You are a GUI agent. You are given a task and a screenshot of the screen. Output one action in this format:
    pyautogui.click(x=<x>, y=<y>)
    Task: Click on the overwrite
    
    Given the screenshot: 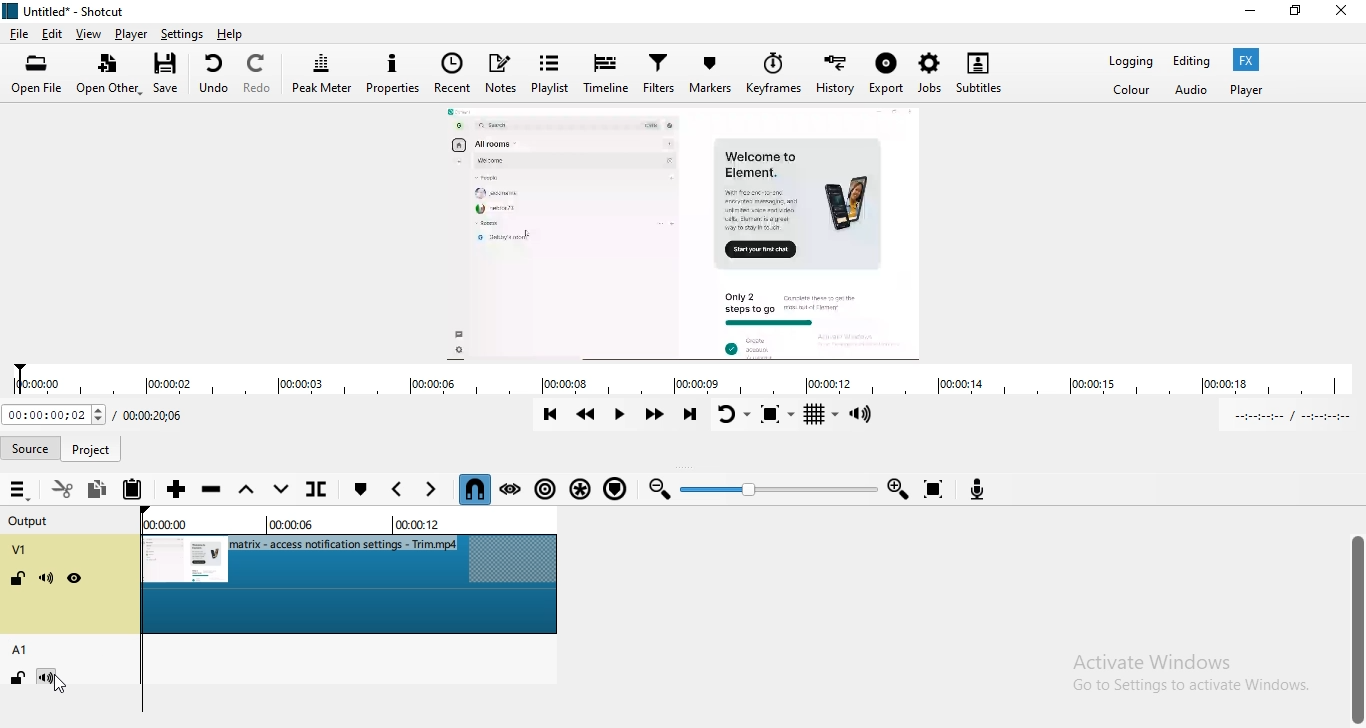 What is the action you would take?
    pyautogui.click(x=281, y=489)
    